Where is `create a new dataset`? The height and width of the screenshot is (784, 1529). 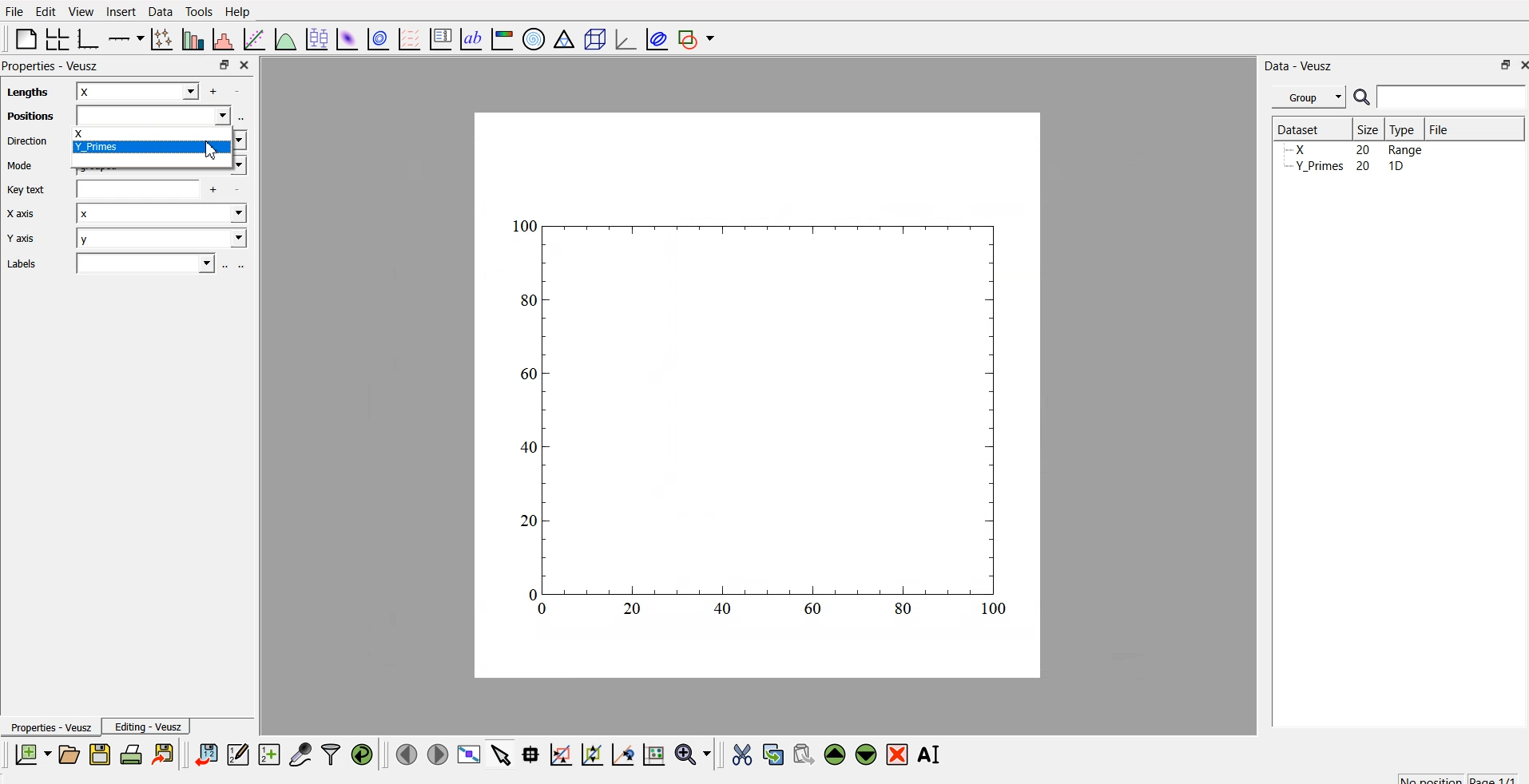
create a new dataset is located at coordinates (269, 756).